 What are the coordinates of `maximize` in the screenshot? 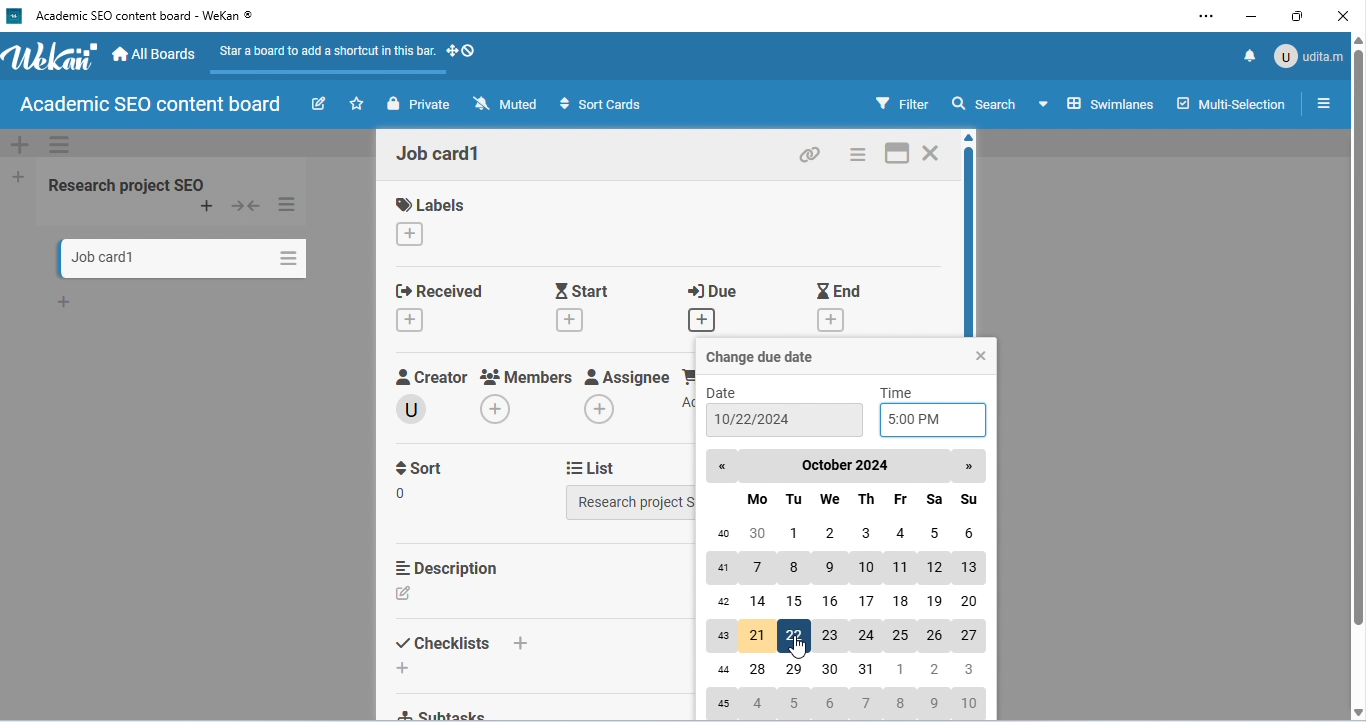 It's located at (1298, 17).